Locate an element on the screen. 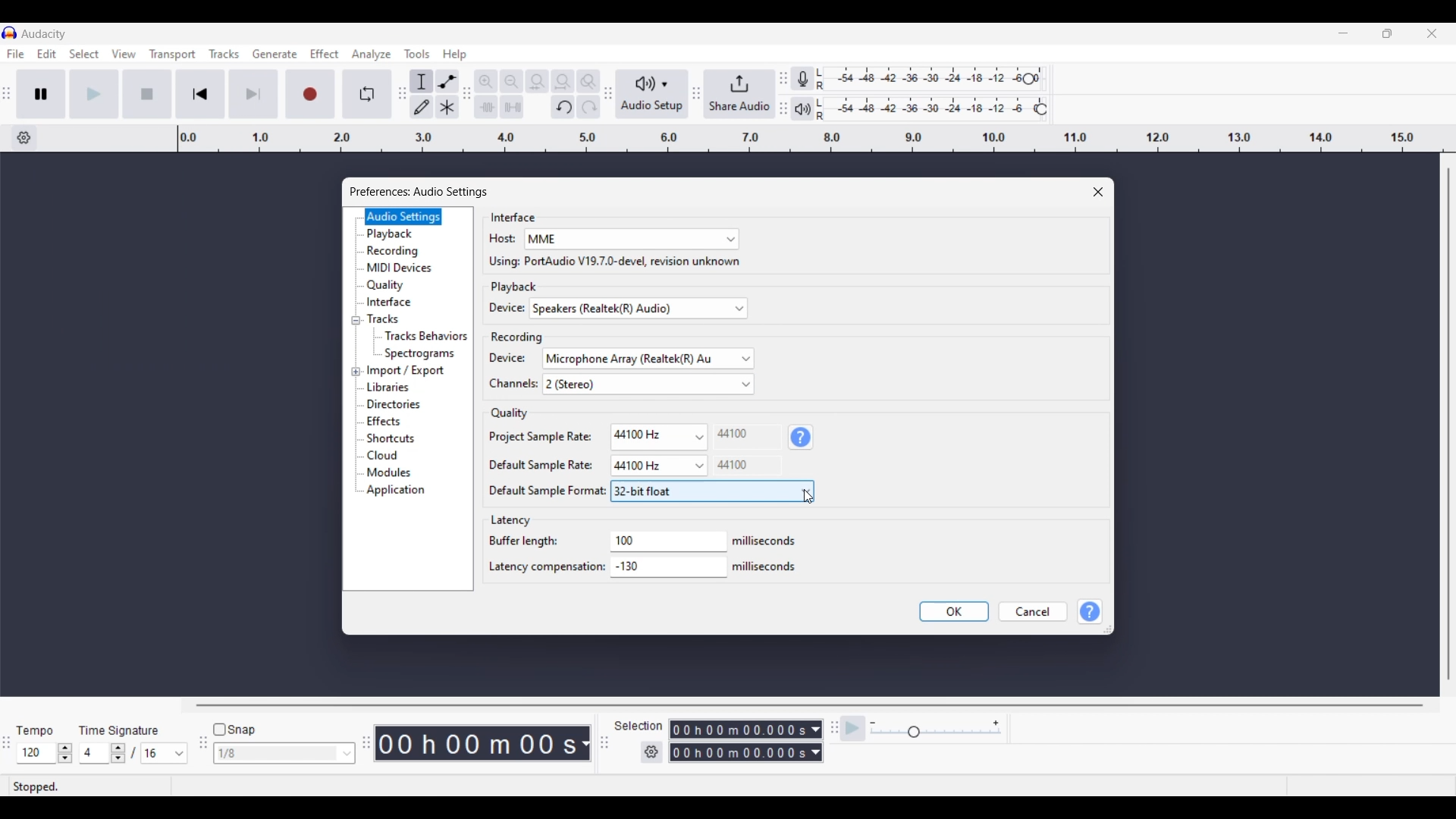 Image resolution: width=1456 pixels, height=819 pixels. Slider to change playback speed is located at coordinates (936, 733).